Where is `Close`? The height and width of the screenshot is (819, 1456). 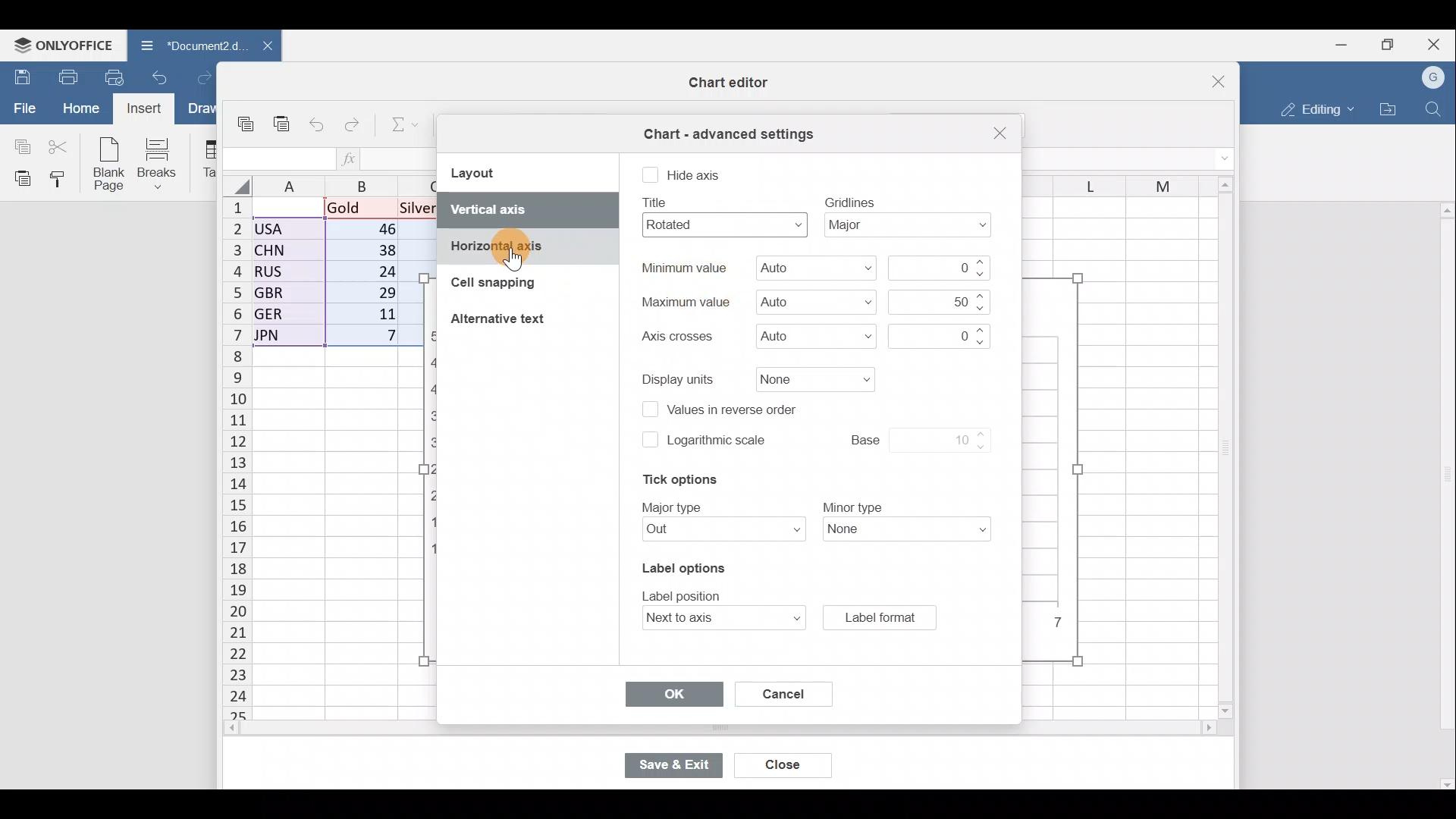 Close is located at coordinates (1436, 42).